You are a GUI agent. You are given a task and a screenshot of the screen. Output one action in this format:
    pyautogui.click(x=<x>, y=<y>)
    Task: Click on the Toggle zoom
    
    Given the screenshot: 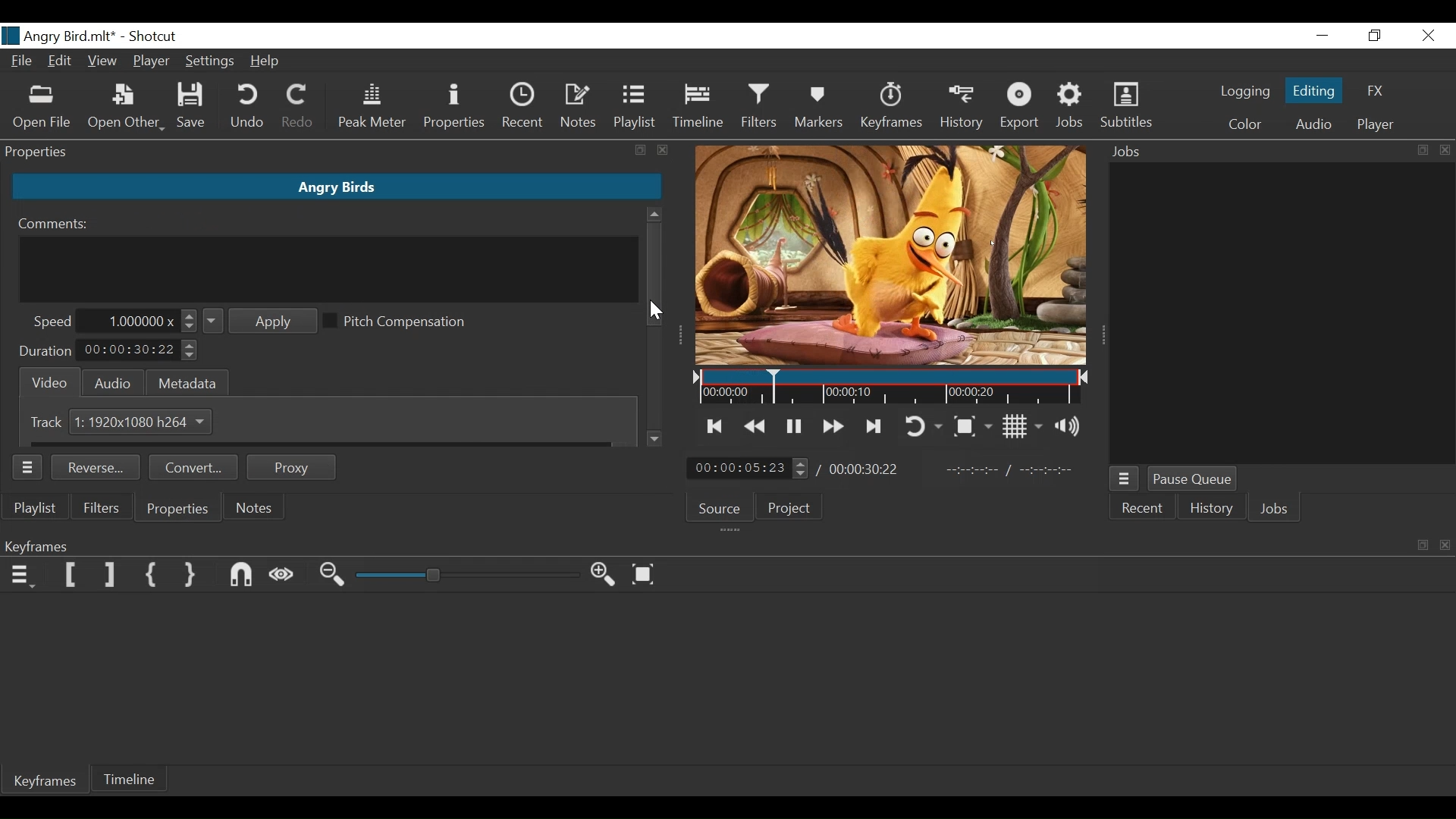 What is the action you would take?
    pyautogui.click(x=974, y=425)
    